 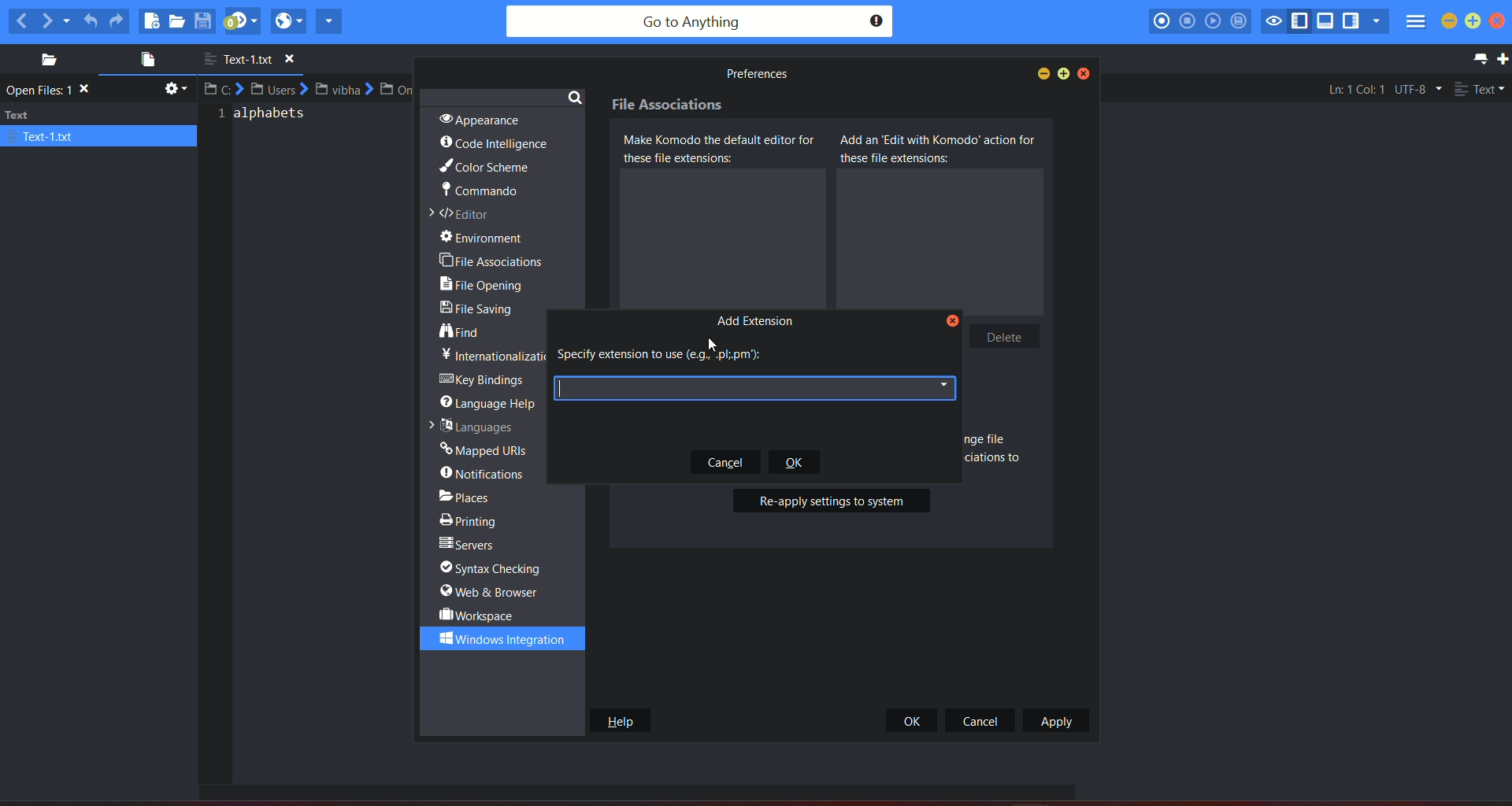 I want to click on environment, so click(x=491, y=238).